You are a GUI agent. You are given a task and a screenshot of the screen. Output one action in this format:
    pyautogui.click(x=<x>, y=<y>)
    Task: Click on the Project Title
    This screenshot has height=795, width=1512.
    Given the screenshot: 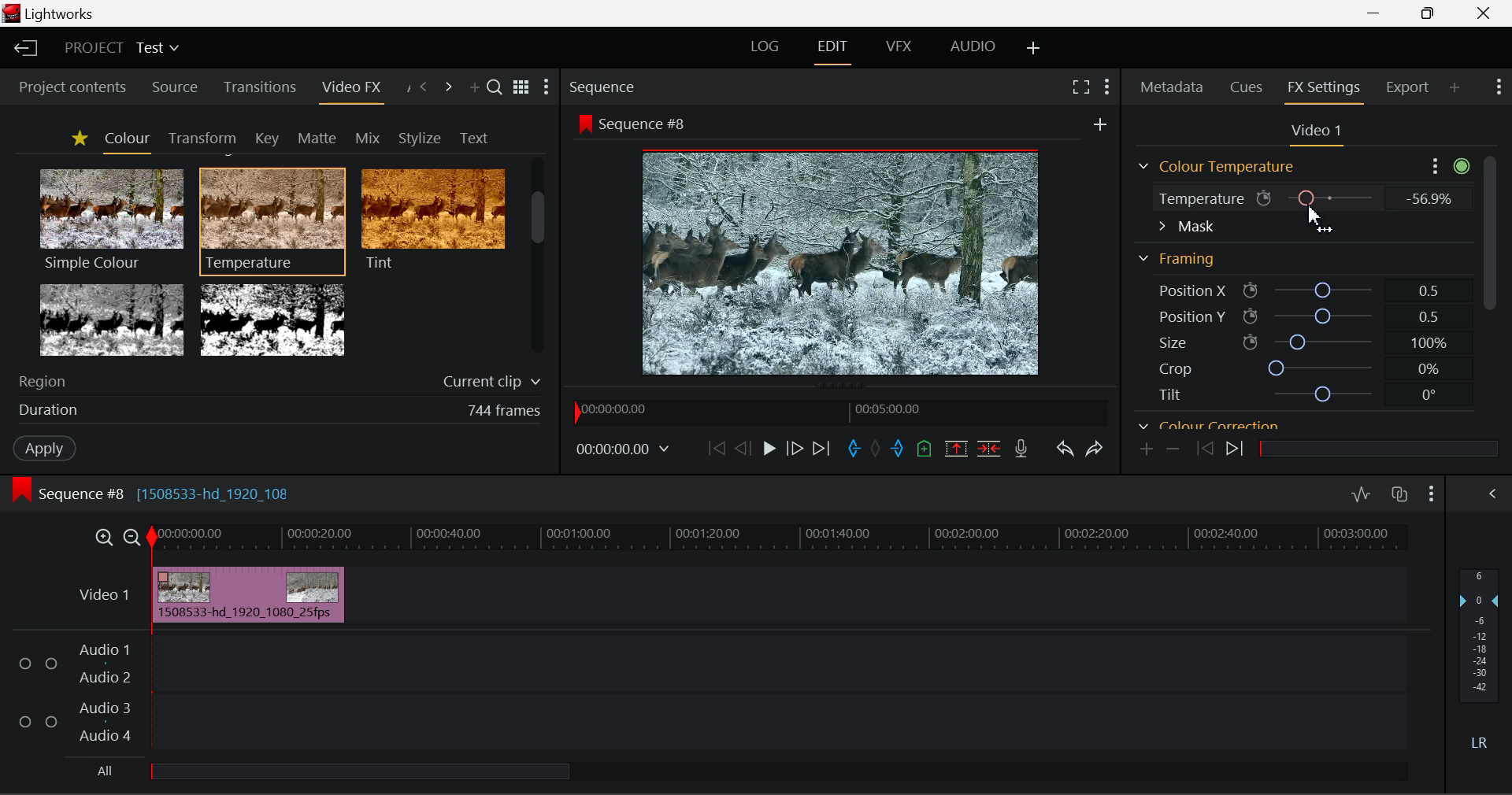 What is the action you would take?
    pyautogui.click(x=121, y=46)
    